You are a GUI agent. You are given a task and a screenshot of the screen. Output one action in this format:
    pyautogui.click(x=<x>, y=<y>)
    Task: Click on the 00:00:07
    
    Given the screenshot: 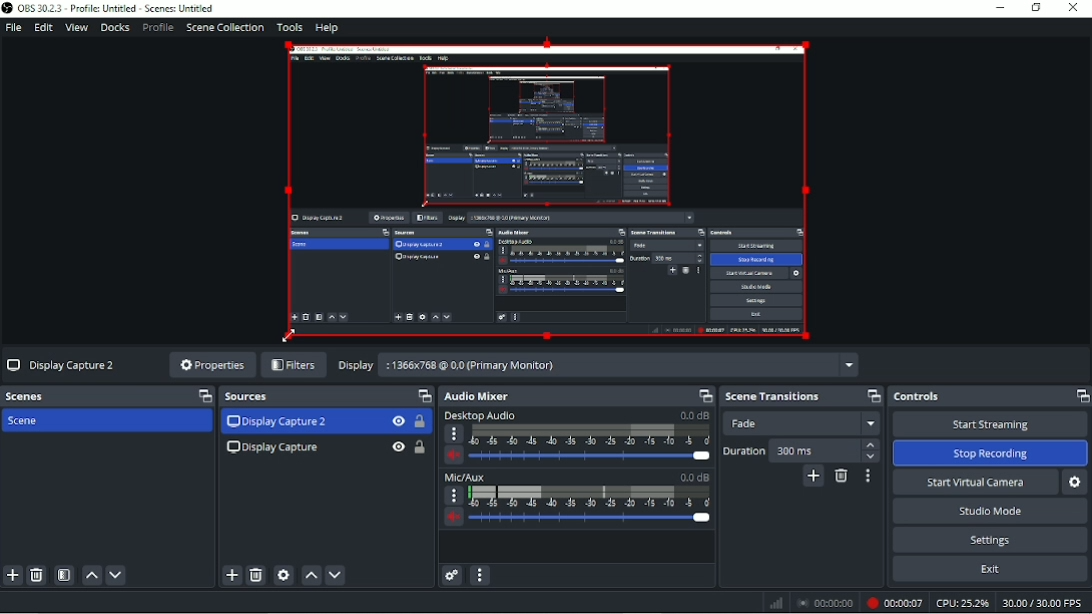 What is the action you would take?
    pyautogui.click(x=893, y=601)
    